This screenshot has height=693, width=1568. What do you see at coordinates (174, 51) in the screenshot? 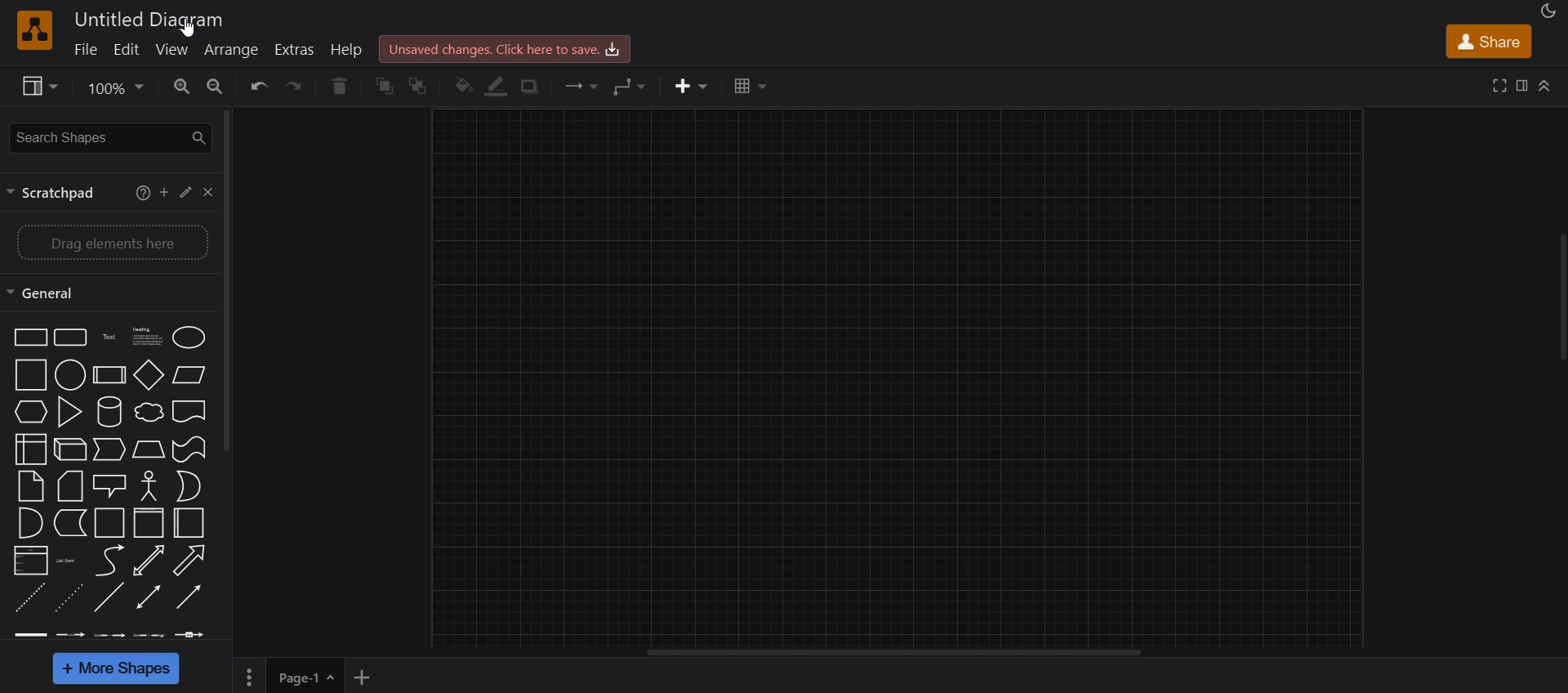
I see `view` at bounding box center [174, 51].